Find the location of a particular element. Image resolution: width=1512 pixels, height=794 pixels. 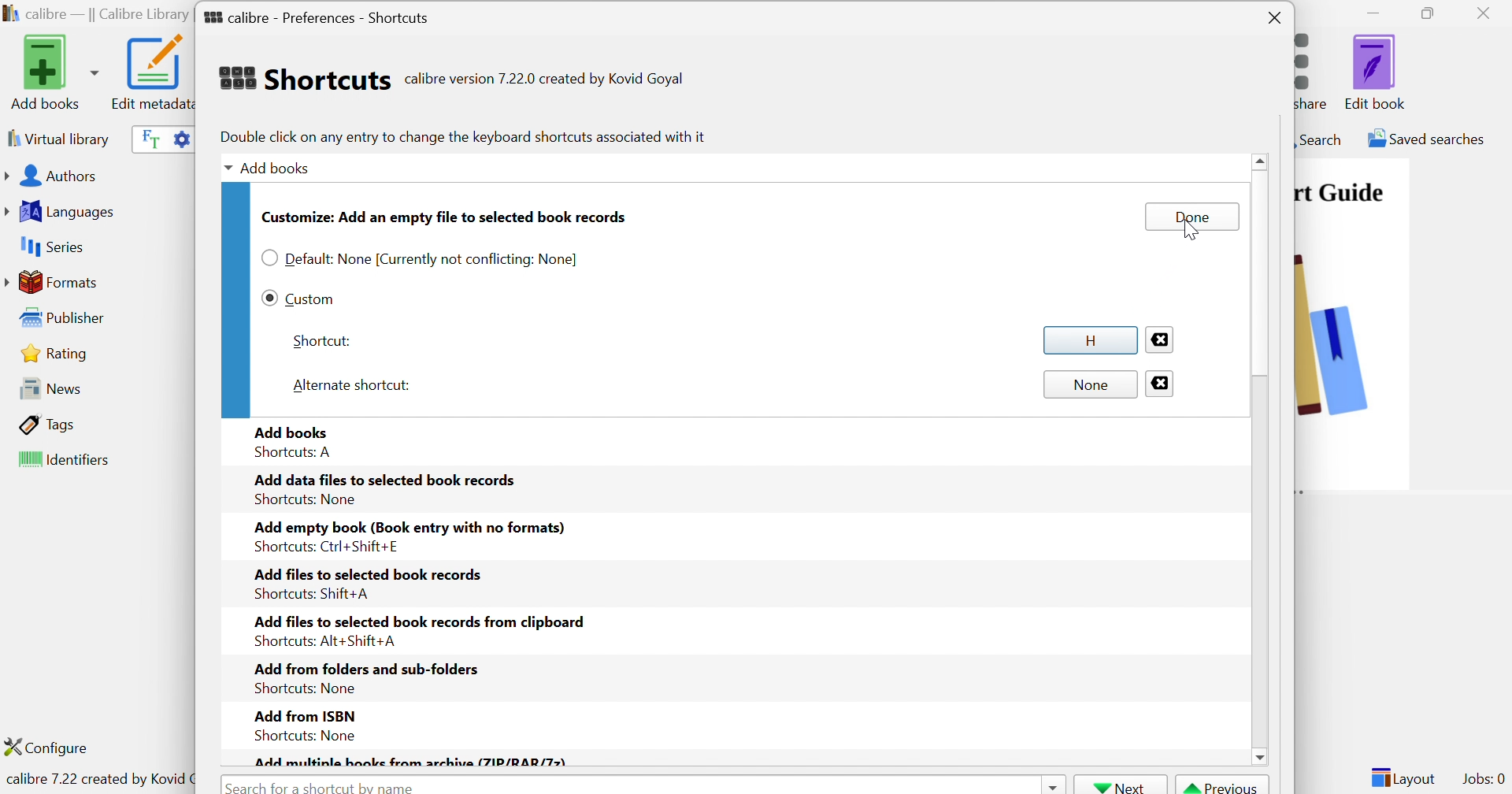

Scroll Up is located at coordinates (1262, 160).